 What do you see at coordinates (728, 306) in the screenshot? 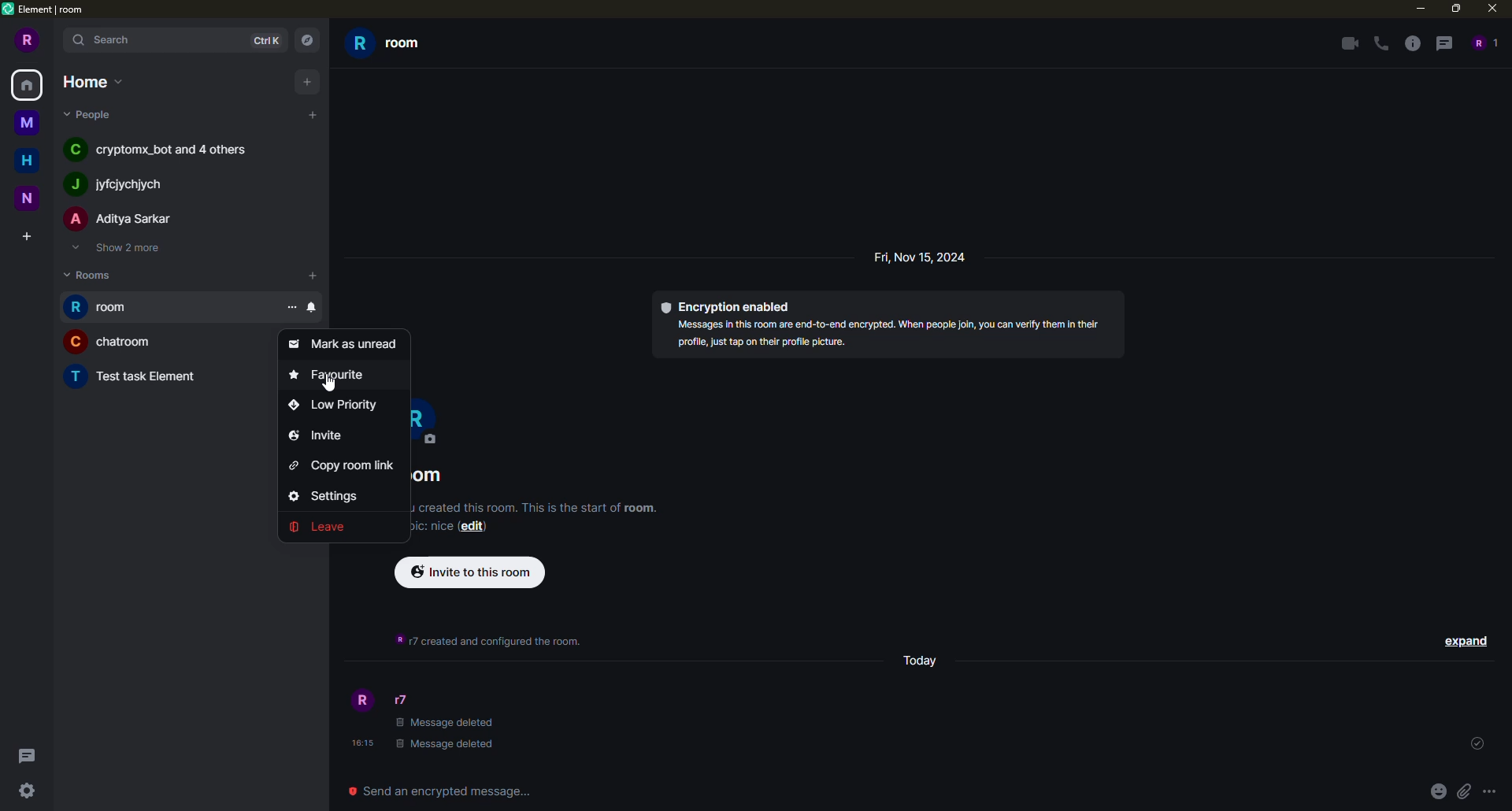
I see `encryption enabled` at bounding box center [728, 306].